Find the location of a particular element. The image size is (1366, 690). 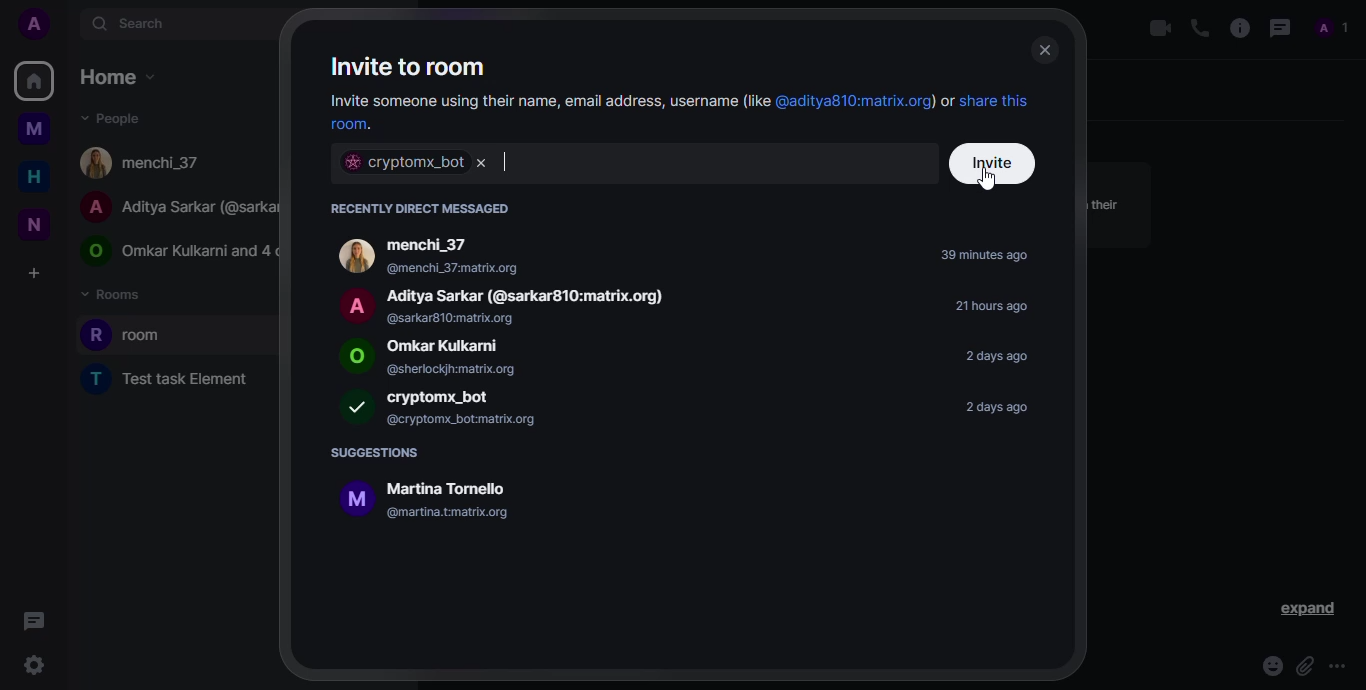

cursor is located at coordinates (981, 188).